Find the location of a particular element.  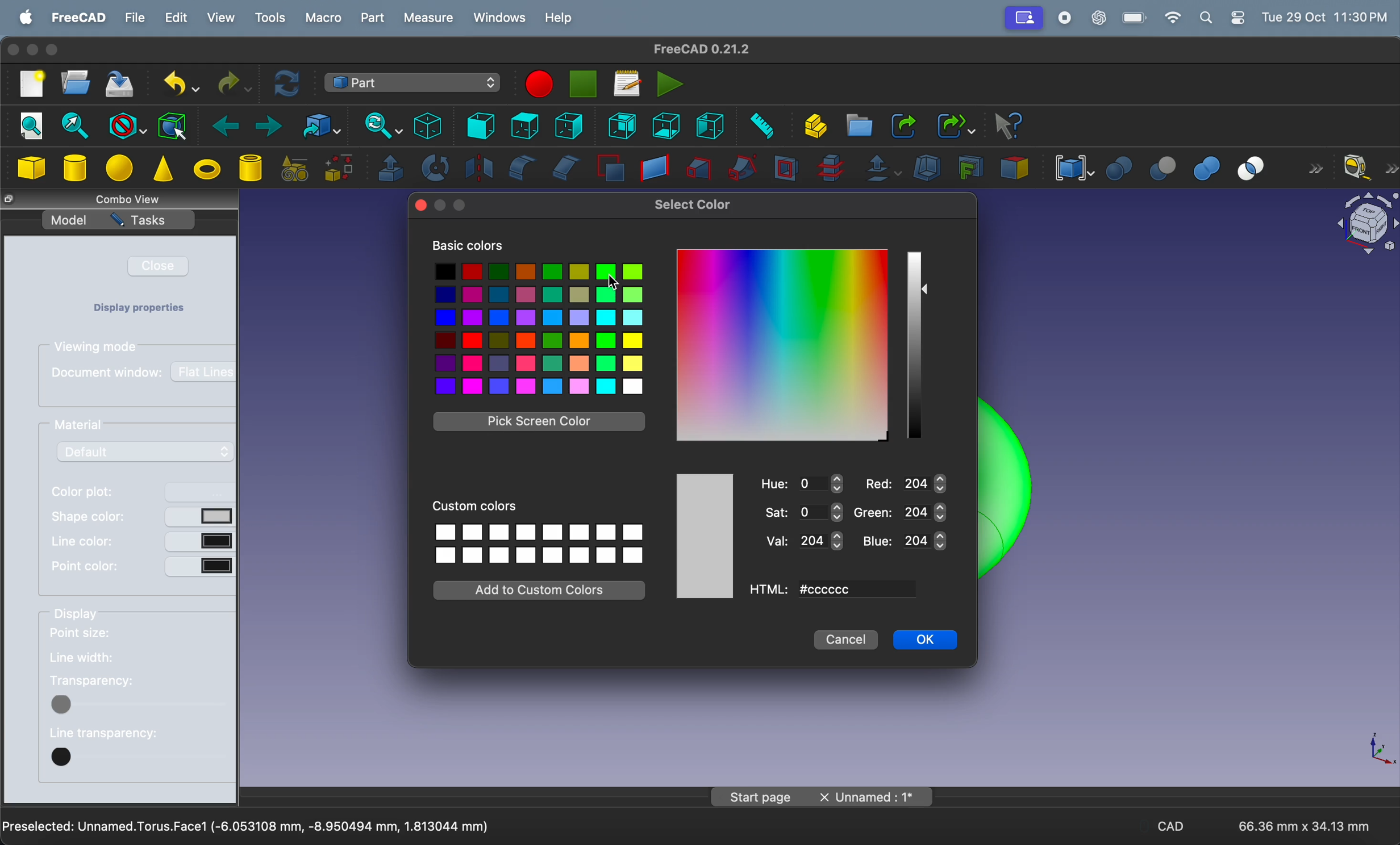

edit is located at coordinates (177, 18).